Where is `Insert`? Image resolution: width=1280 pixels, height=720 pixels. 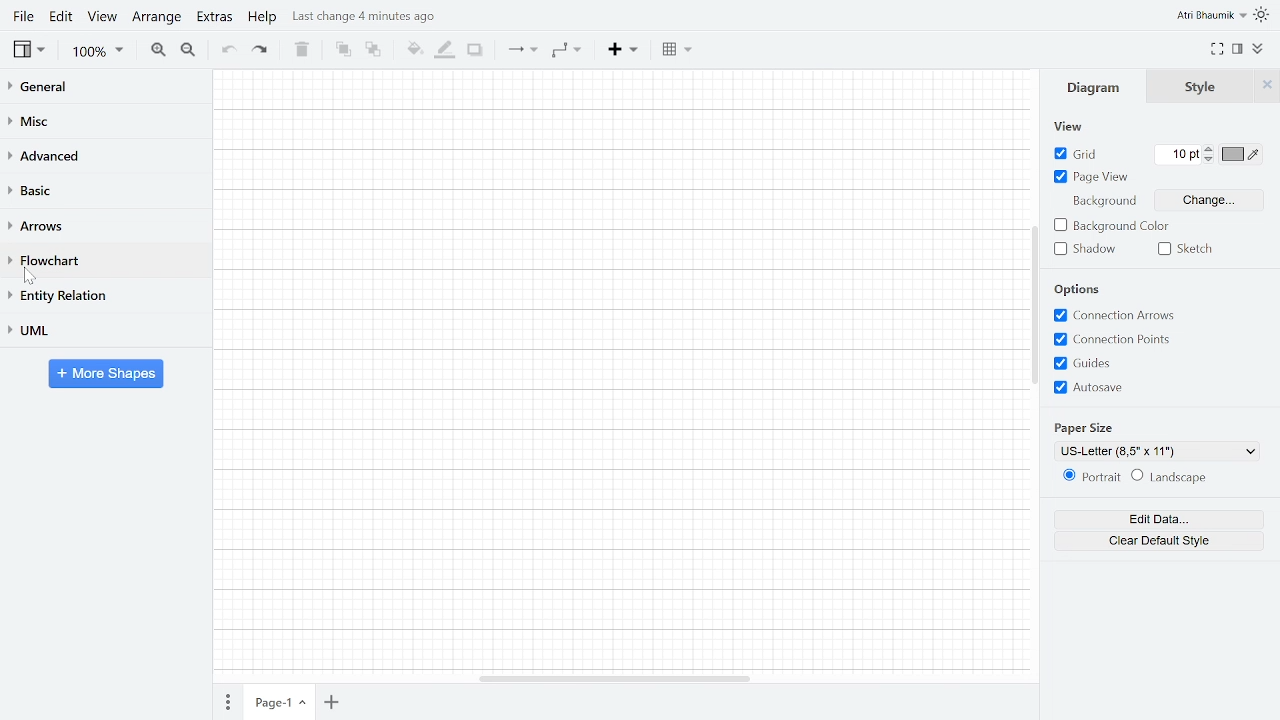 Insert is located at coordinates (622, 50).